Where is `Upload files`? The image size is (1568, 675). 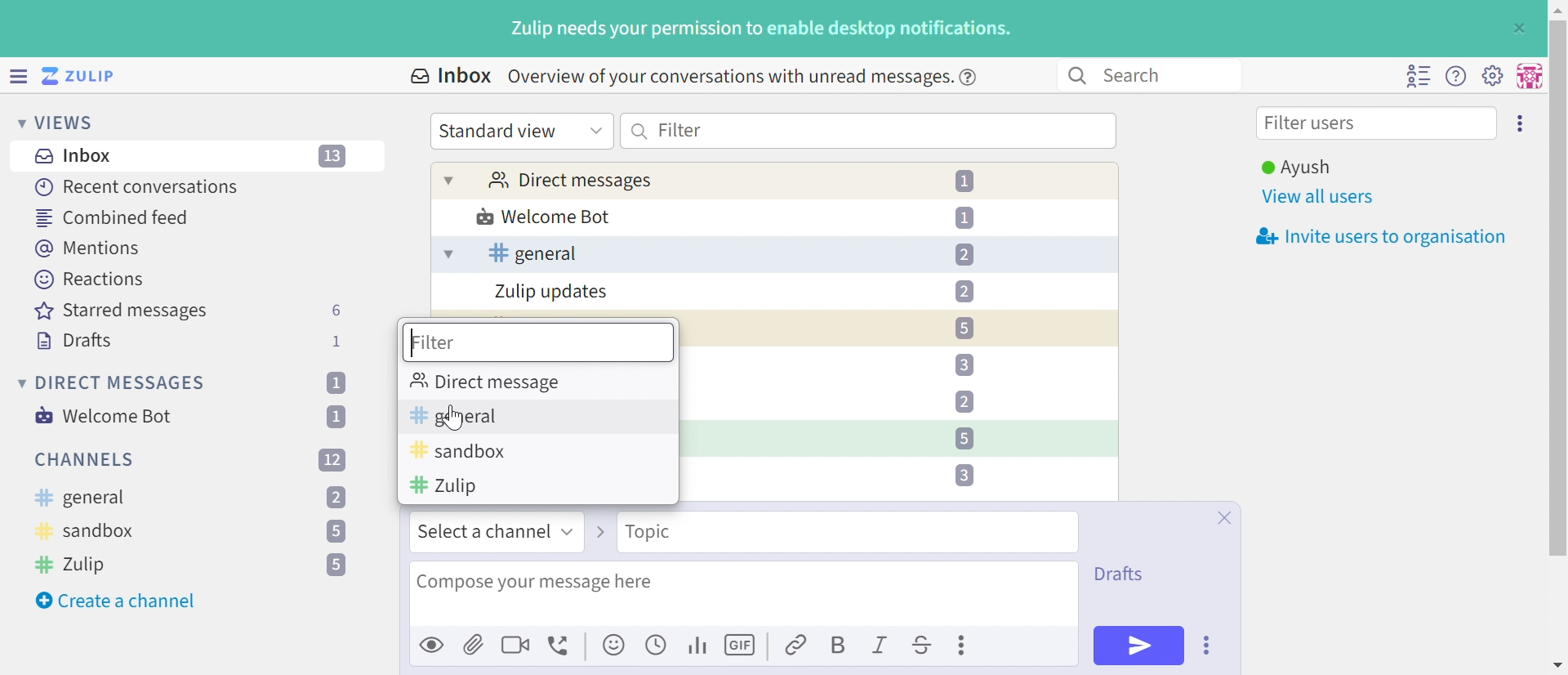 Upload files is located at coordinates (474, 644).